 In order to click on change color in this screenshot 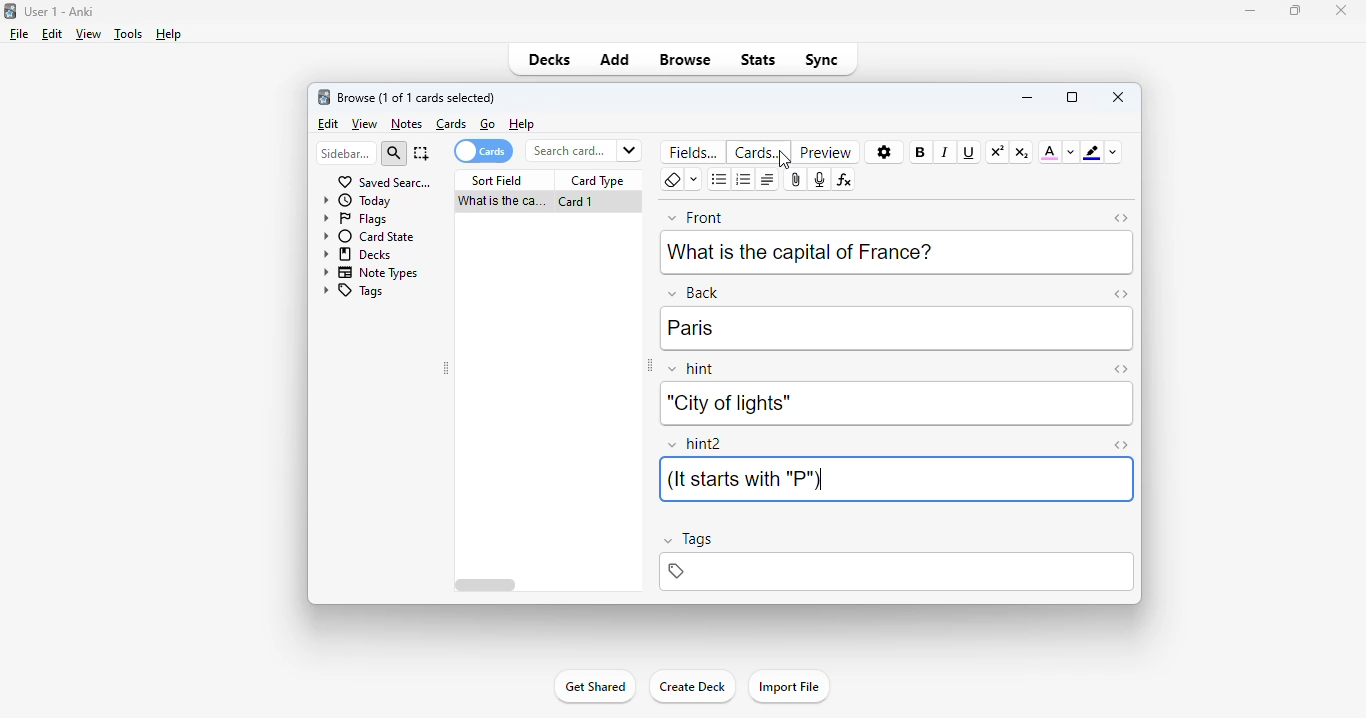, I will do `click(1113, 152)`.